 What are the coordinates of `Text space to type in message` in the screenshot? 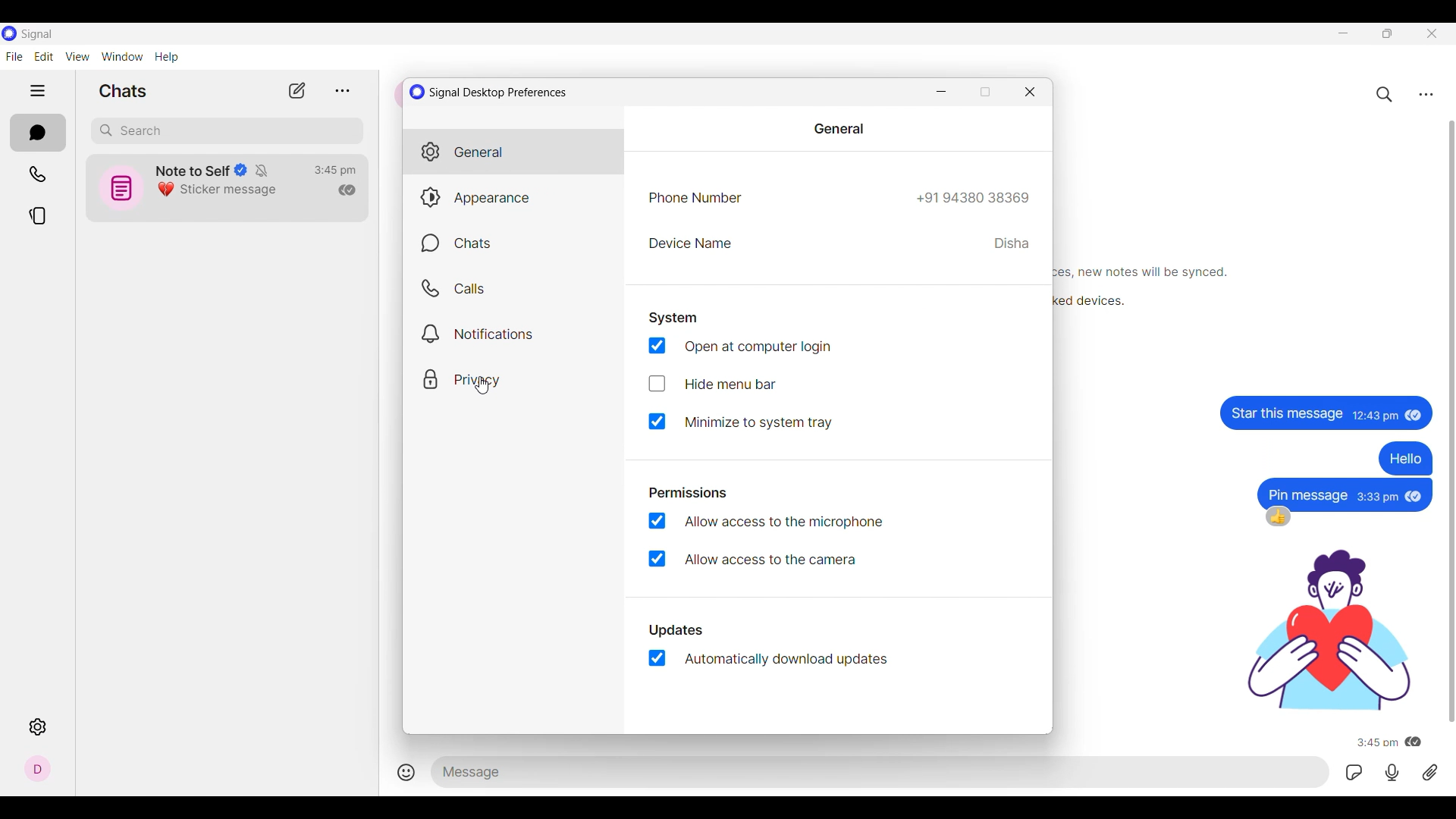 It's located at (883, 772).